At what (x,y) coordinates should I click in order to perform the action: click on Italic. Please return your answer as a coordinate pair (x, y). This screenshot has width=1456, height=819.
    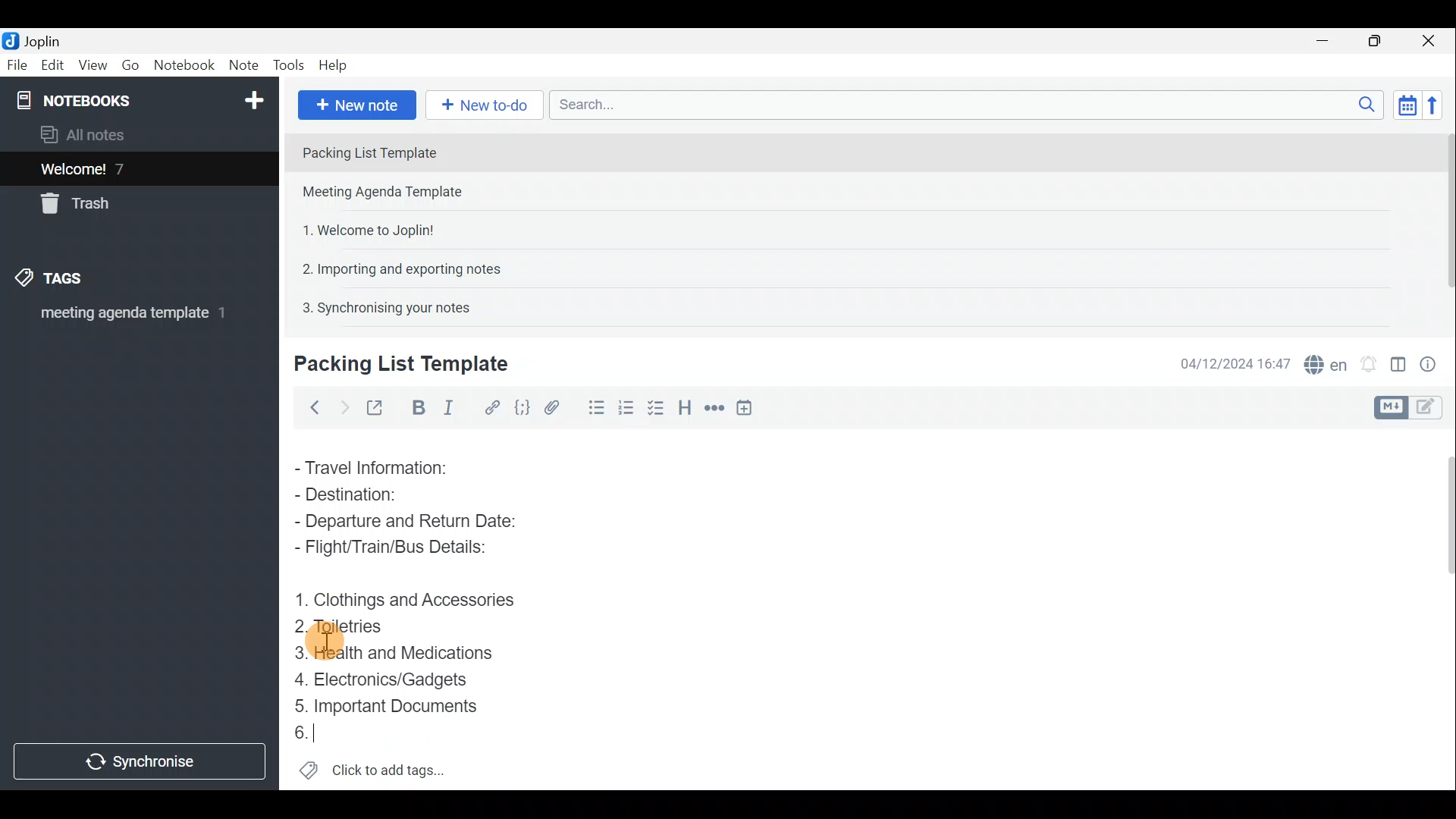
    Looking at the image, I should click on (454, 407).